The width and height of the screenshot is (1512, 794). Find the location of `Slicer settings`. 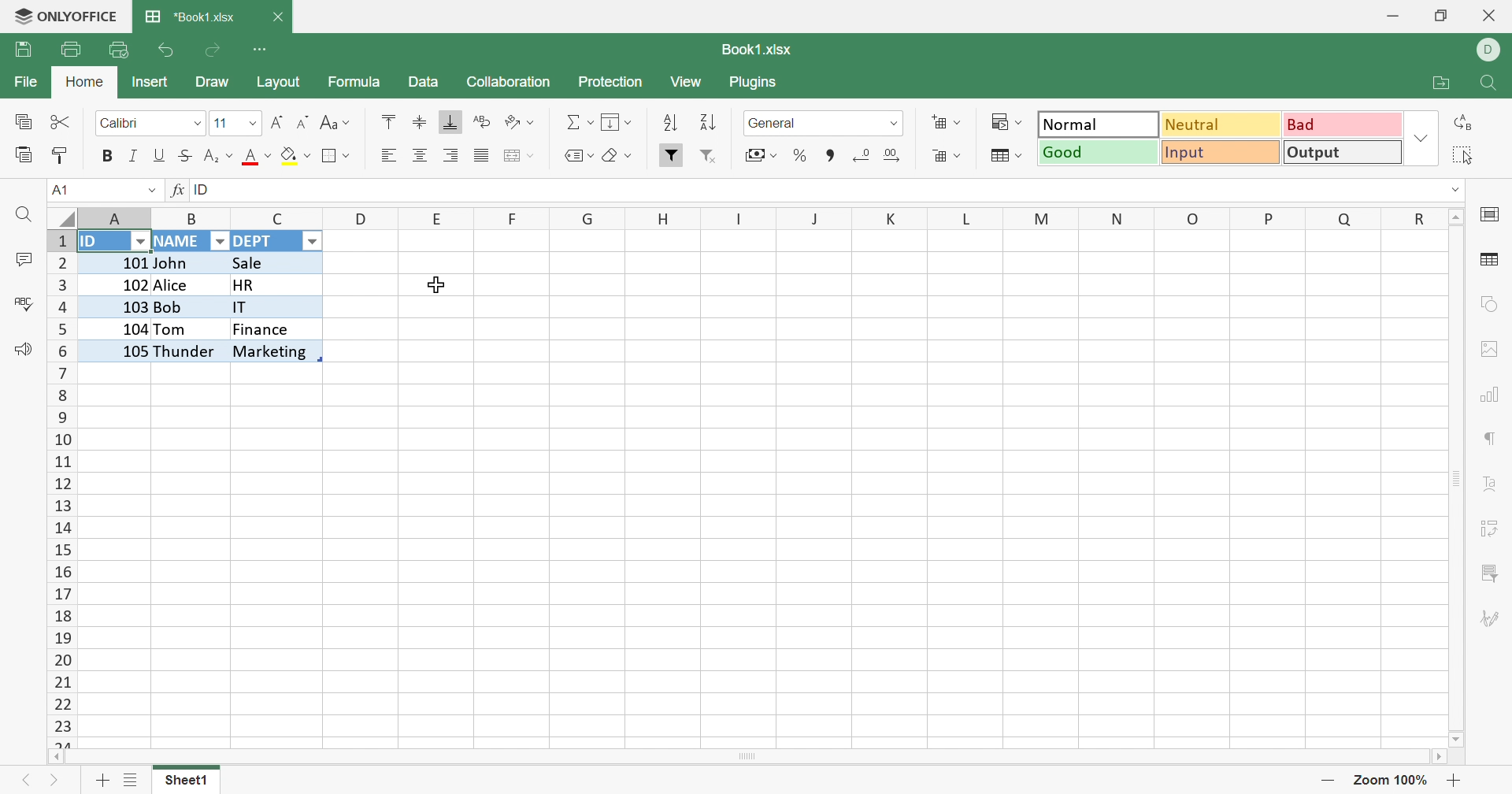

Slicer settings is located at coordinates (1486, 573).